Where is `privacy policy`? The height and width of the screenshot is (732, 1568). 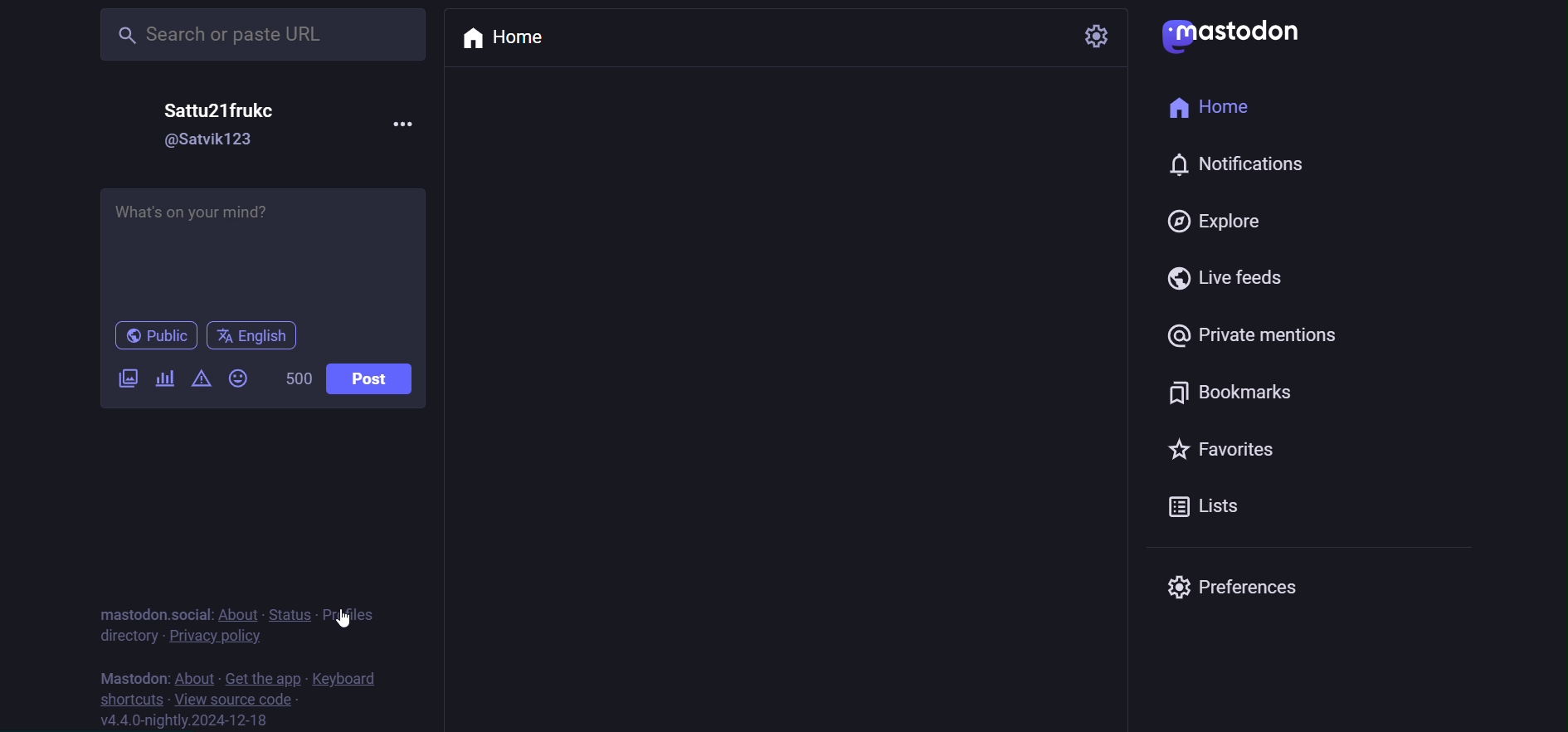 privacy policy is located at coordinates (212, 633).